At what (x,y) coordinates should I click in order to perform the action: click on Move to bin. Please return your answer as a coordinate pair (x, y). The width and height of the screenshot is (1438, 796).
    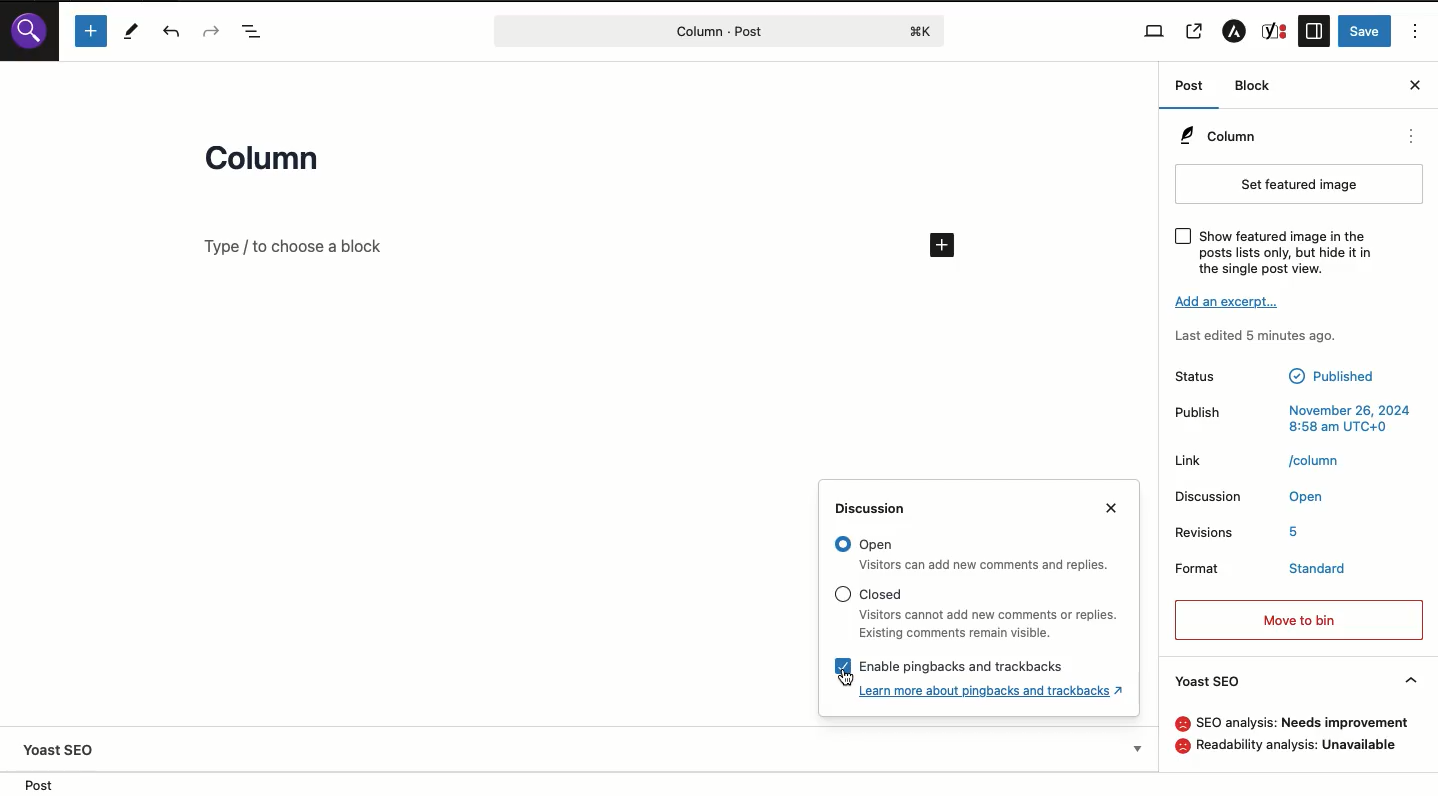
    Looking at the image, I should click on (1300, 620).